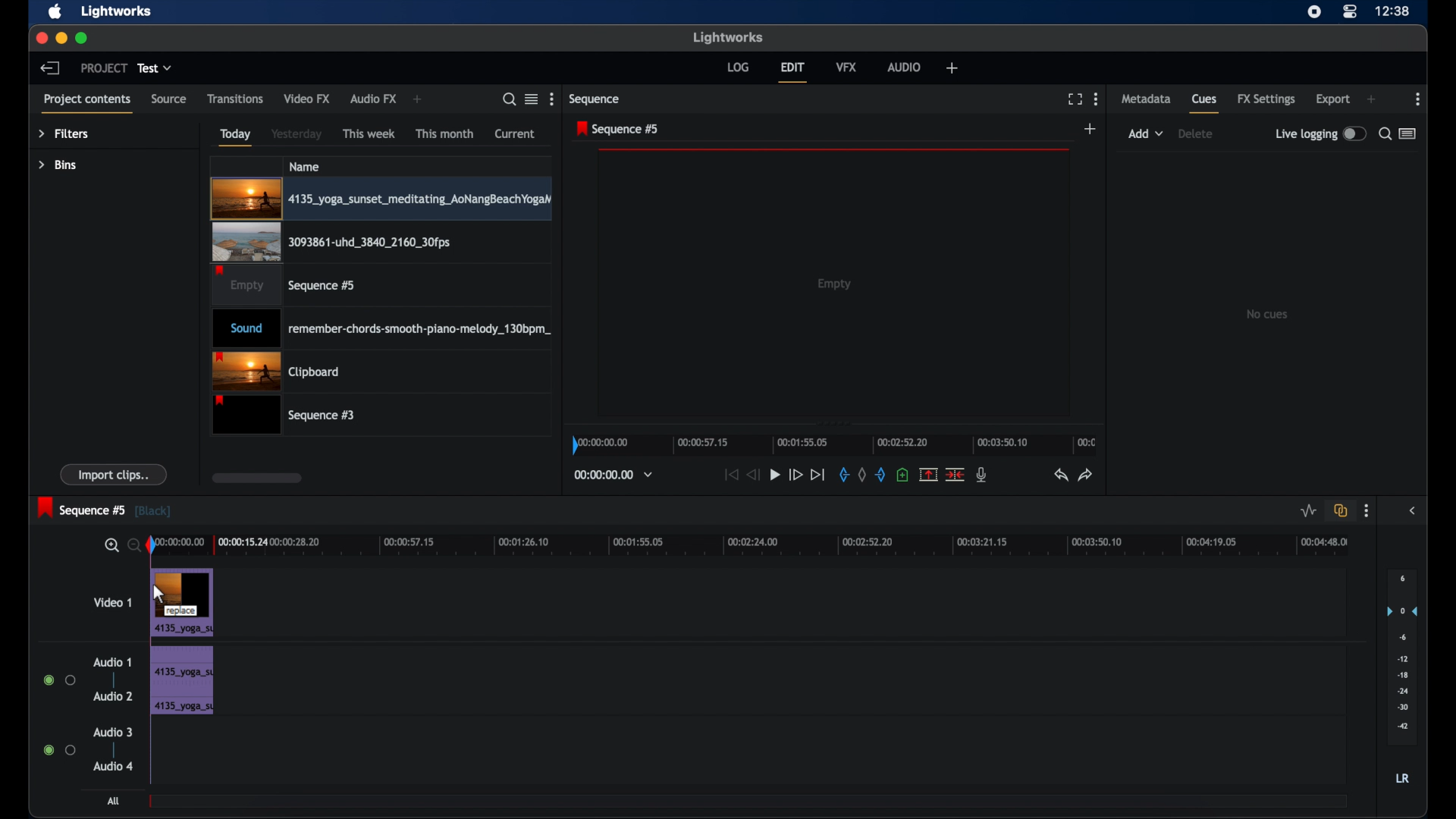  I want to click on All, so click(113, 803).